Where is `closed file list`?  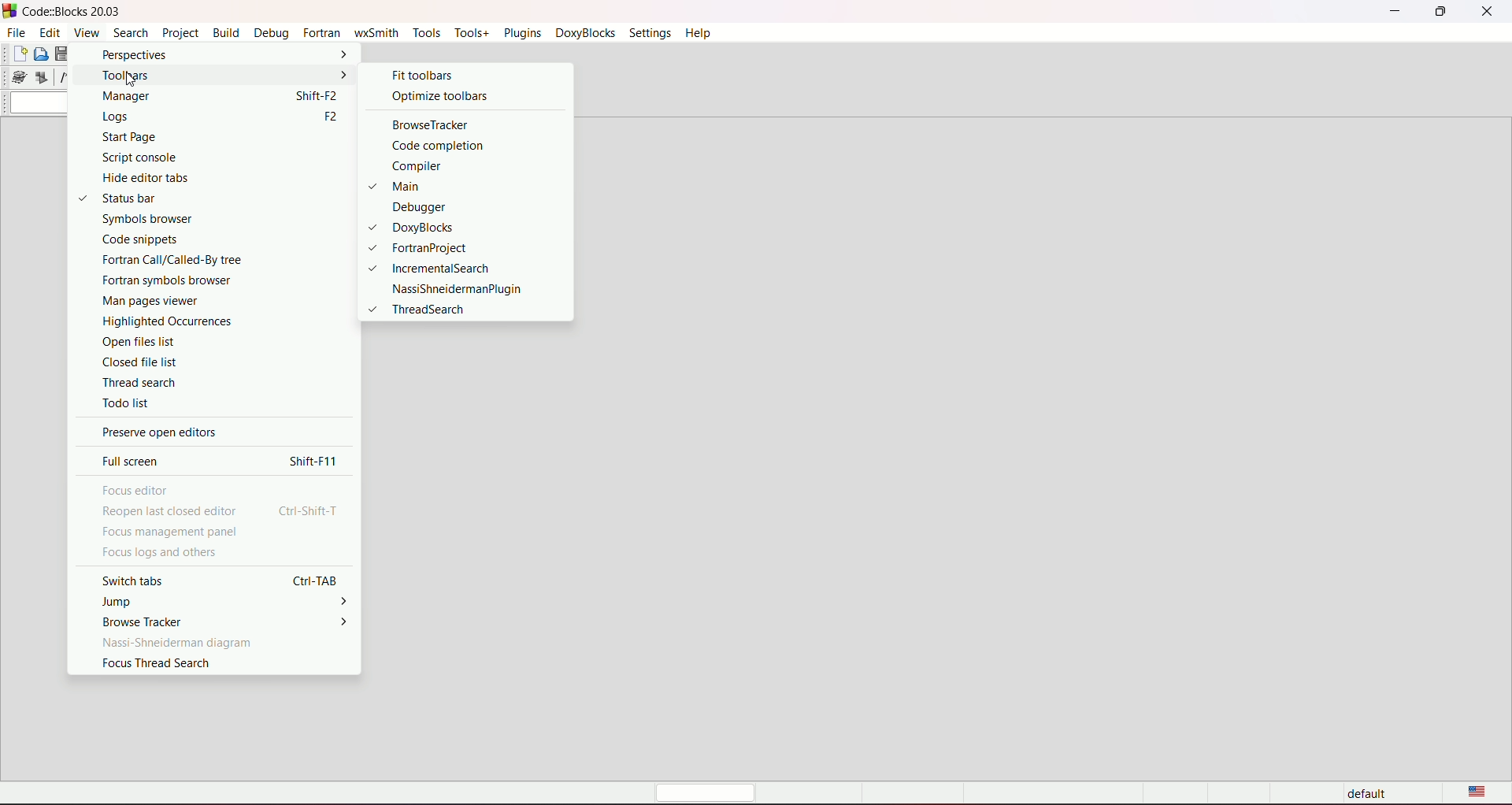 closed file list is located at coordinates (209, 364).